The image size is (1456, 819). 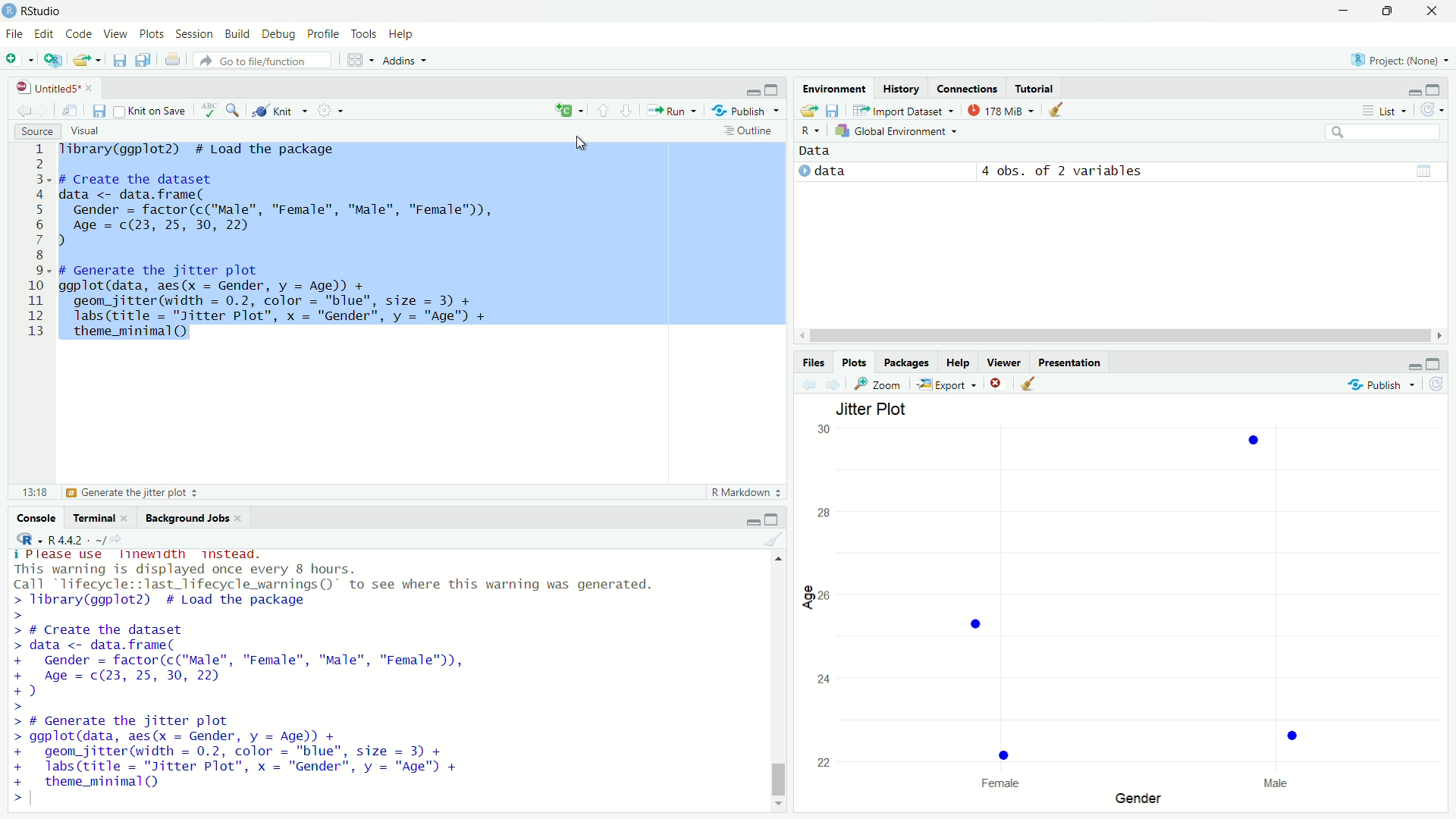 I want to click on find/replace, so click(x=234, y=110).